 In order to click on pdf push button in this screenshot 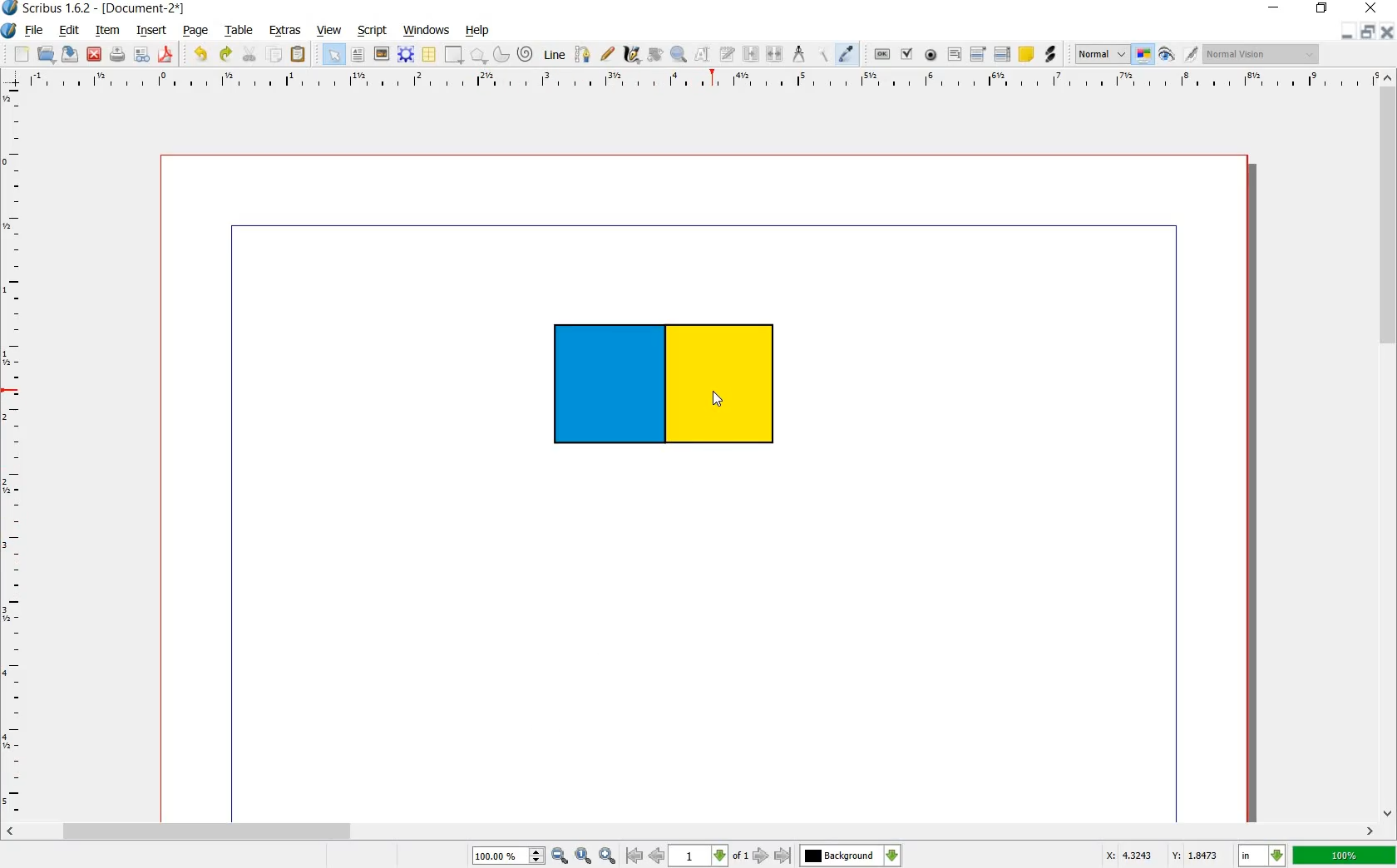, I will do `click(881, 54)`.